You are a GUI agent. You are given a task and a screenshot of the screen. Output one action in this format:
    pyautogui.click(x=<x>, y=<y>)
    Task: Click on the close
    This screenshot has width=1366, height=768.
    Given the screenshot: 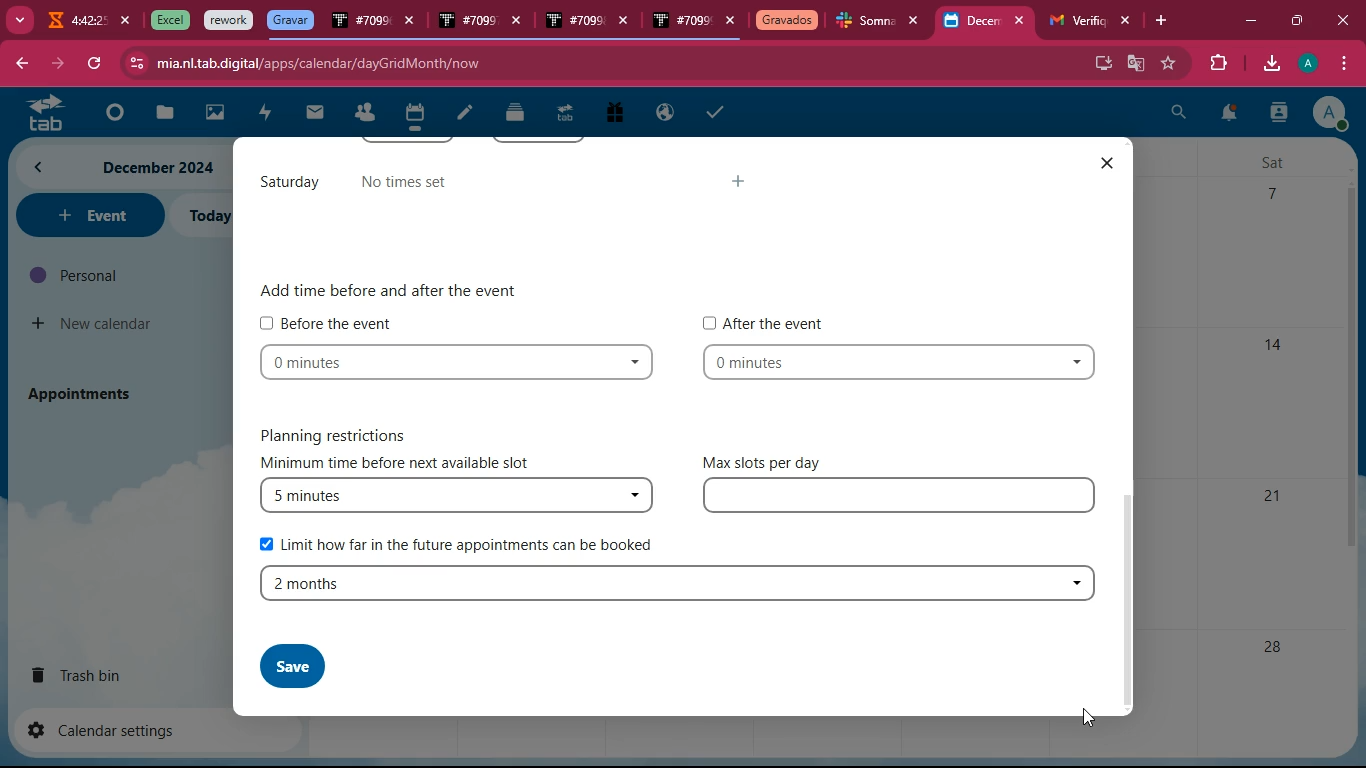 What is the action you would take?
    pyautogui.click(x=731, y=22)
    